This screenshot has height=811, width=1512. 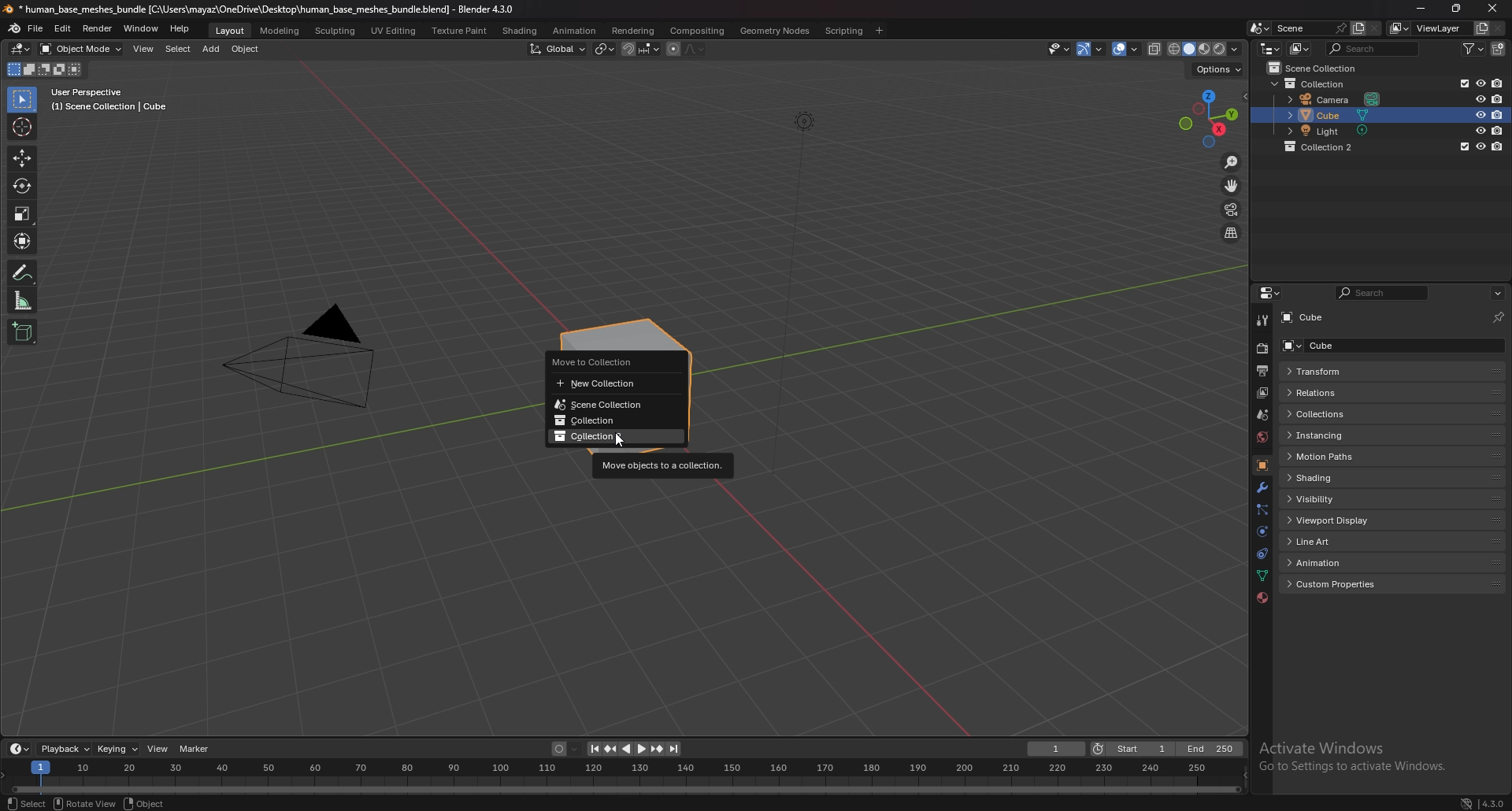 What do you see at coordinates (1231, 209) in the screenshot?
I see `camera view` at bounding box center [1231, 209].